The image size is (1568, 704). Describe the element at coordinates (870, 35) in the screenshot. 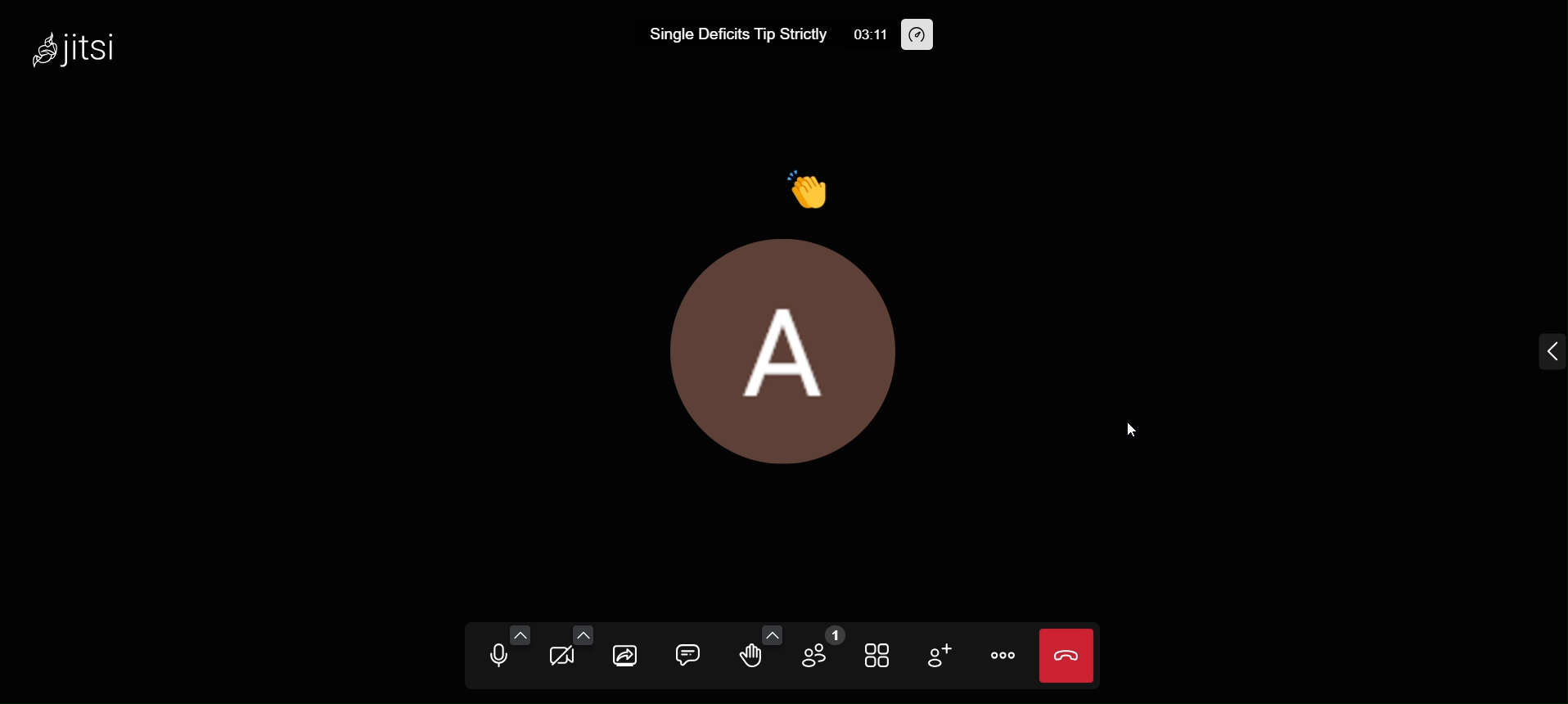

I see `03:11` at that location.